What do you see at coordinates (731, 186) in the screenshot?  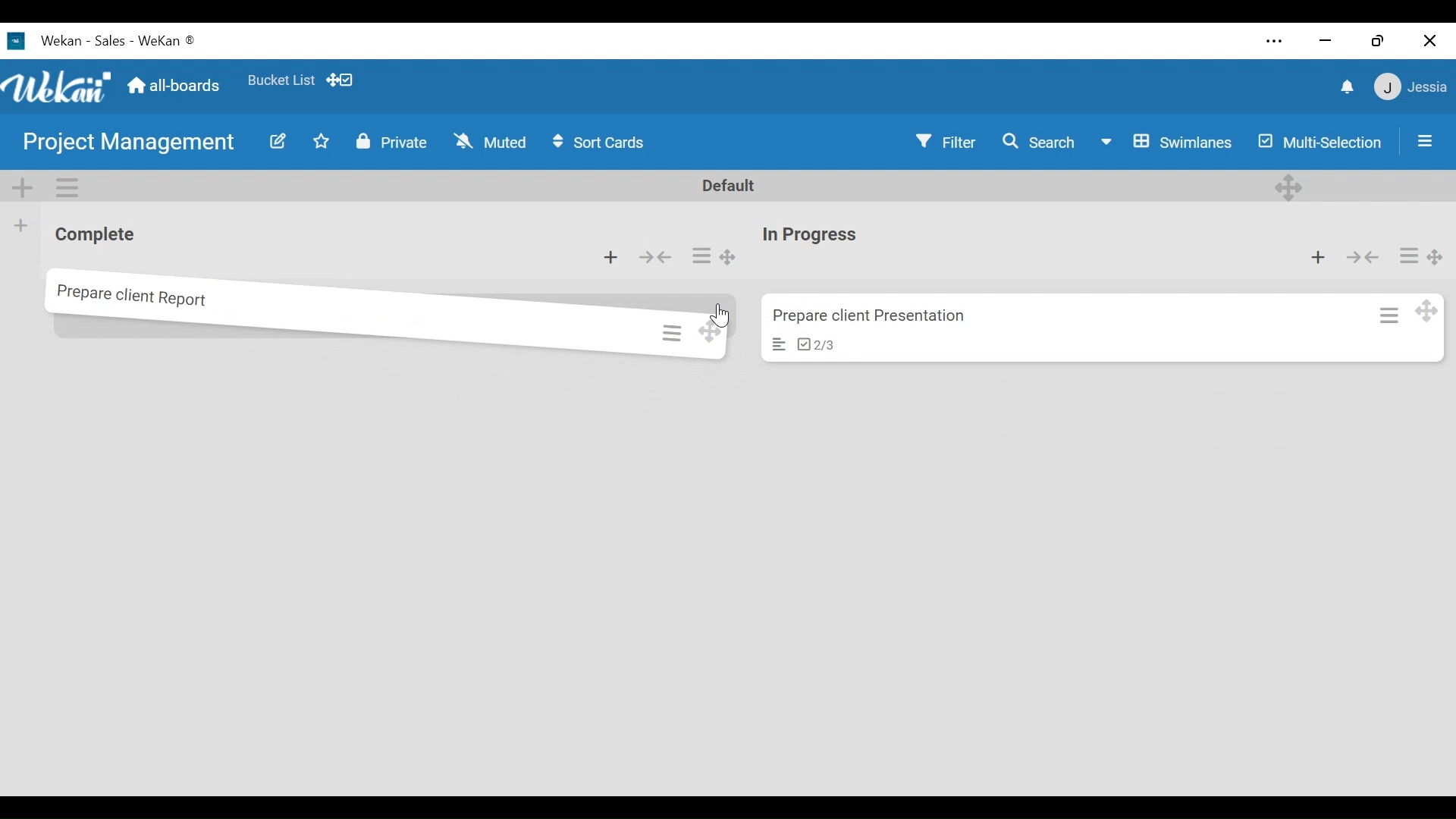 I see `Default` at bounding box center [731, 186].